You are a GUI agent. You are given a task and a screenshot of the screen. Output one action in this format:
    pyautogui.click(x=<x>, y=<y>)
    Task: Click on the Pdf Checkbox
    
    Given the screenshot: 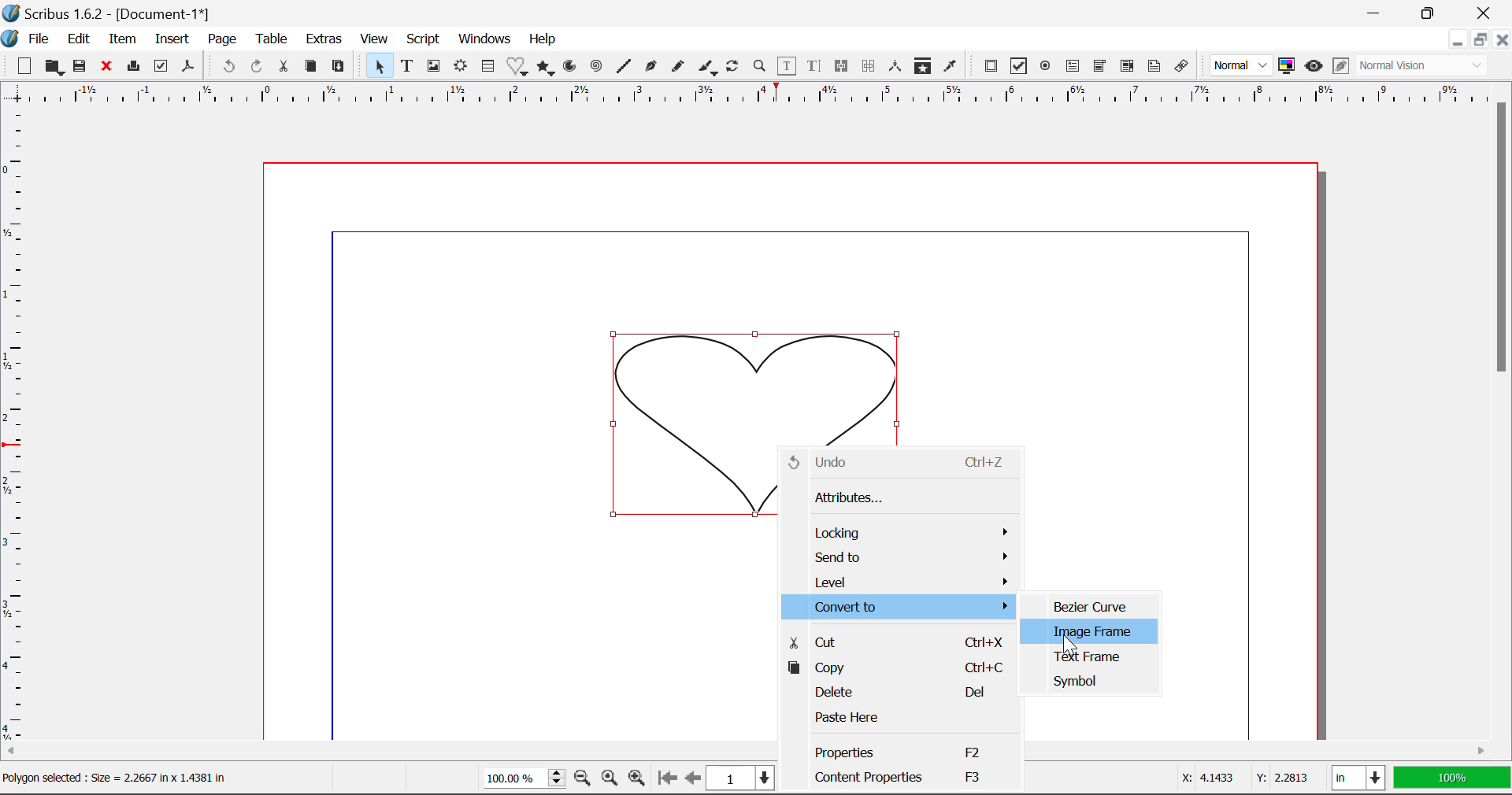 What is the action you would take?
    pyautogui.click(x=1021, y=68)
    